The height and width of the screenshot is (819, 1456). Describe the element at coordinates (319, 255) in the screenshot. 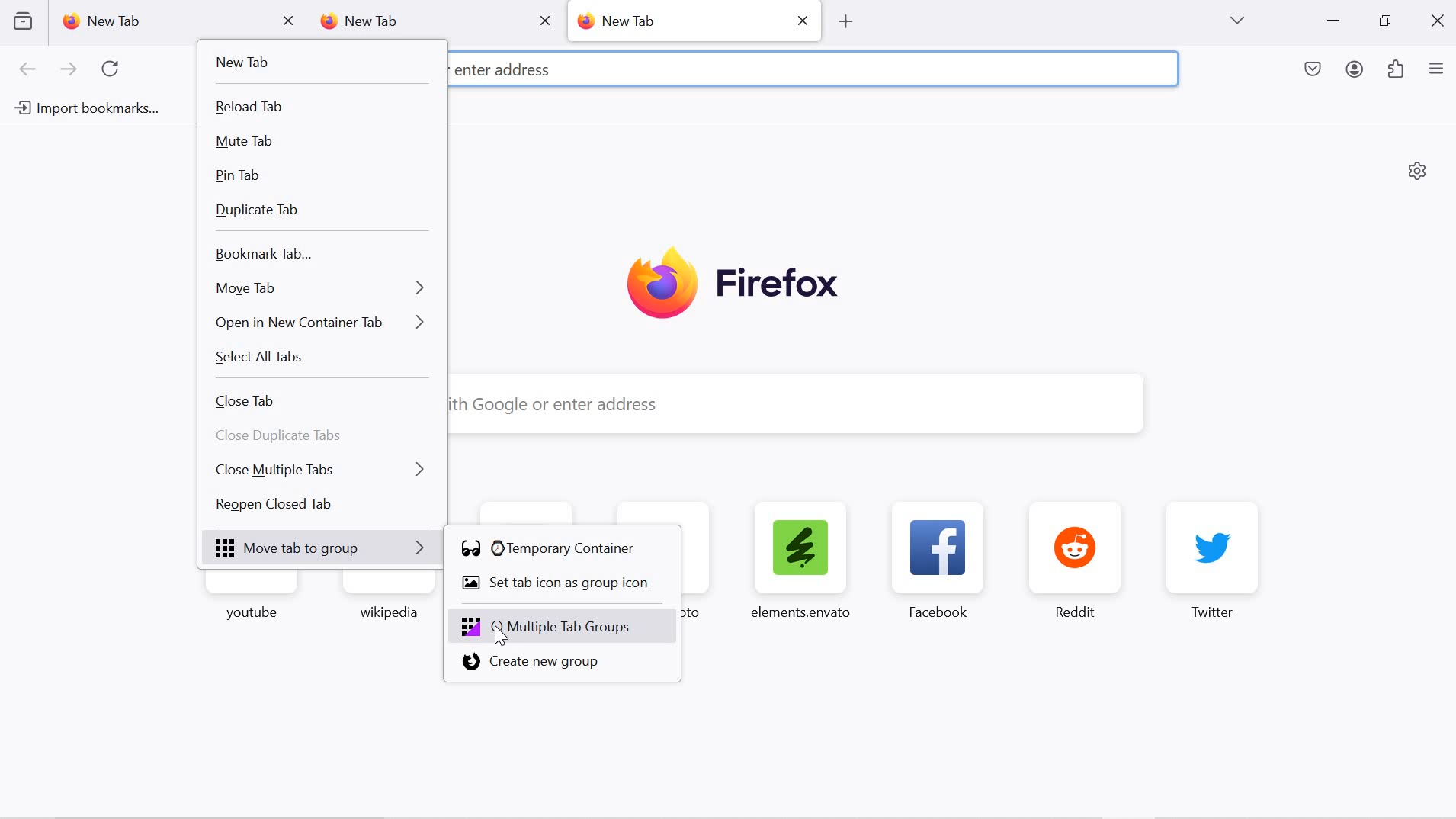

I see `bookmark tab` at that location.